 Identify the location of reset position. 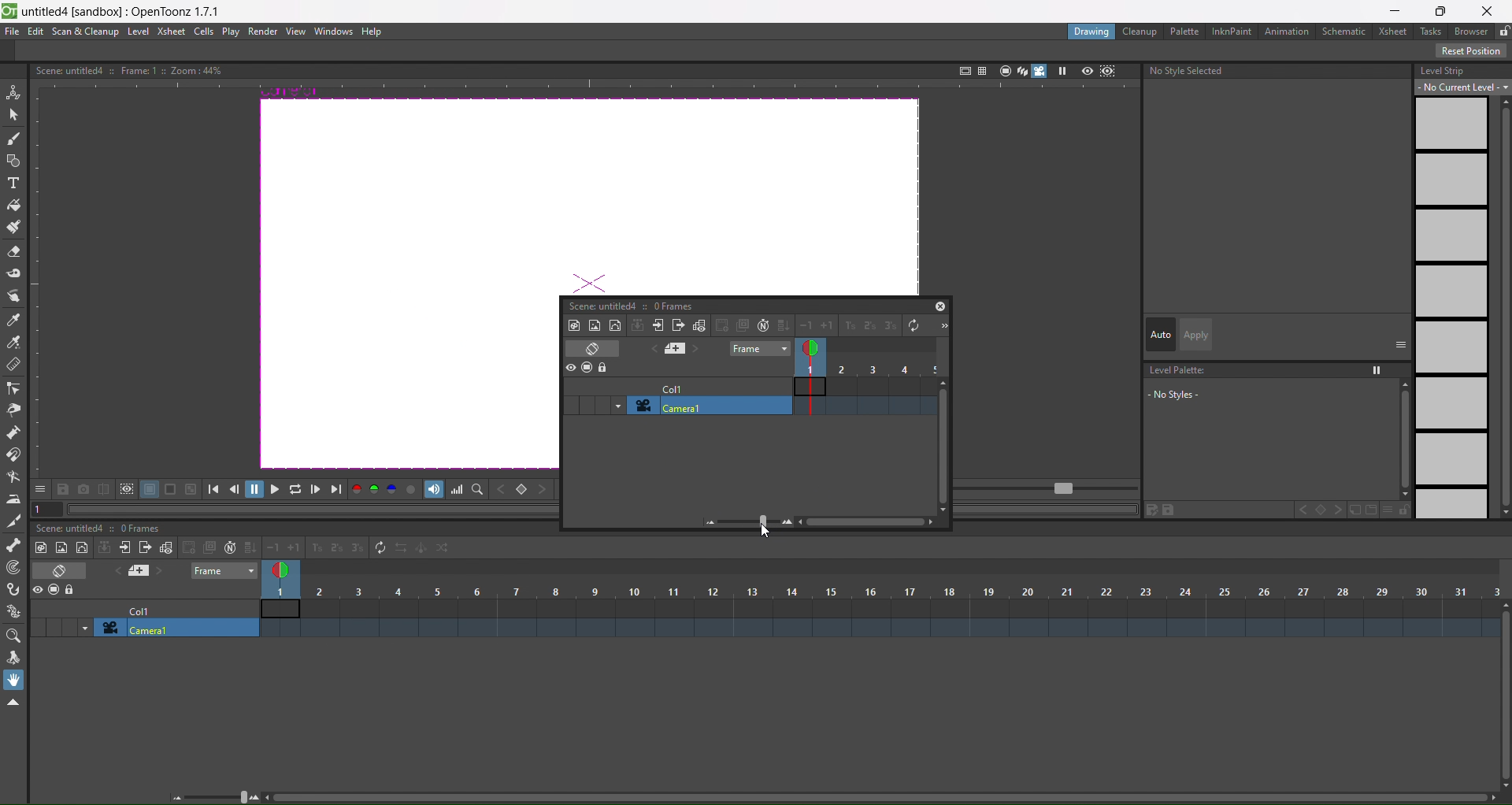
(1473, 51).